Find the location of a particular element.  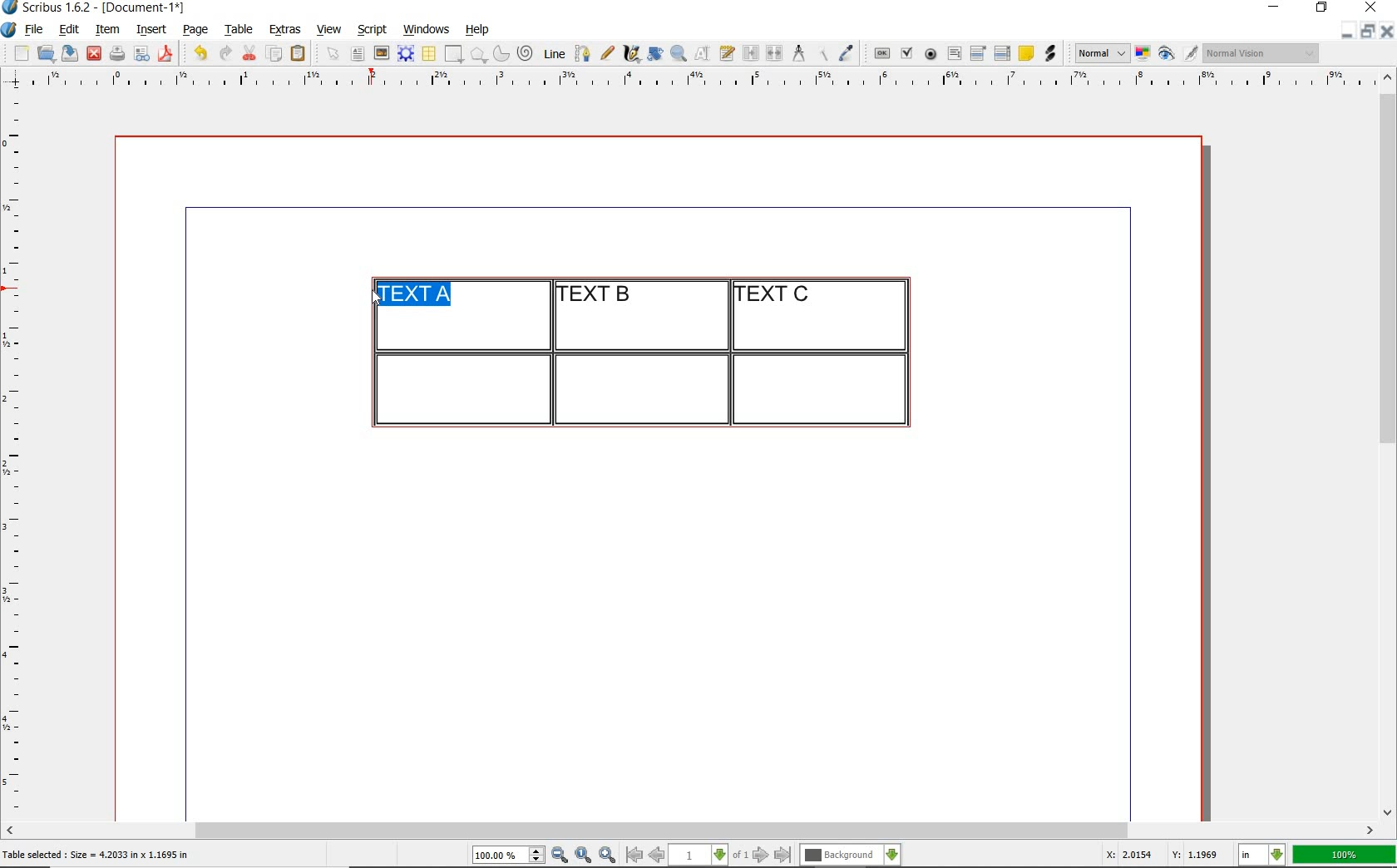

minimize is located at coordinates (1348, 30).